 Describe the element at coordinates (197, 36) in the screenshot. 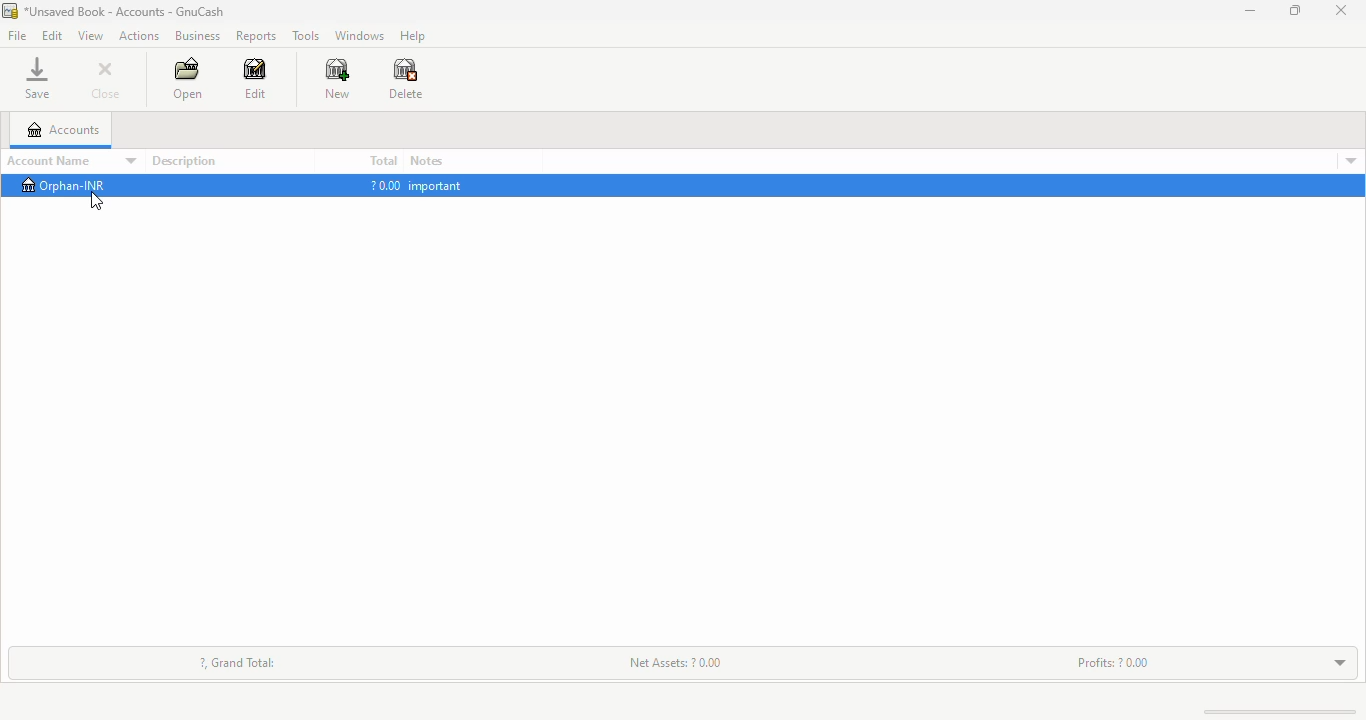

I see `business` at that location.